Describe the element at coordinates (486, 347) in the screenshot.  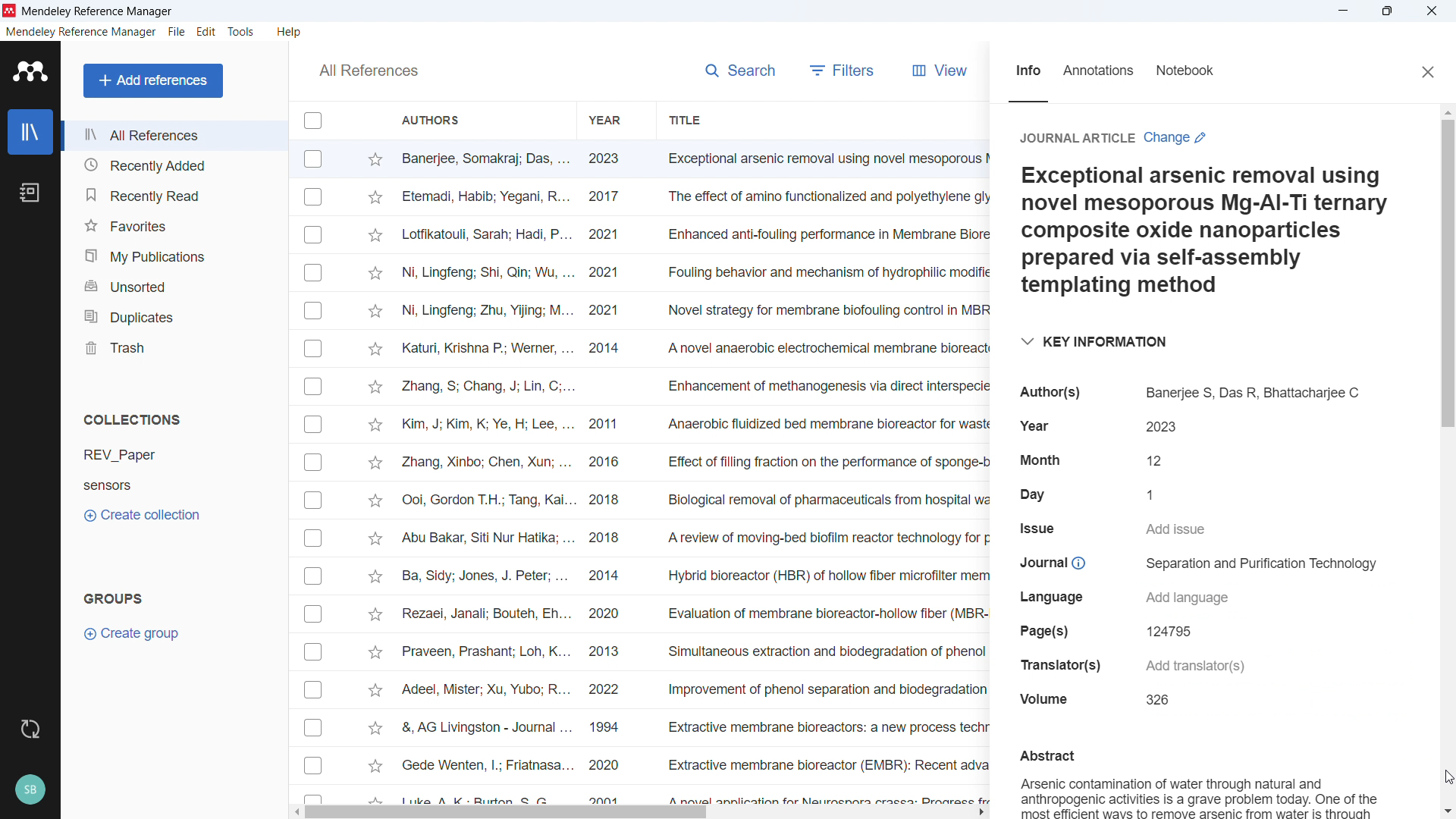
I see `katuri,krishna p,werner` at that location.